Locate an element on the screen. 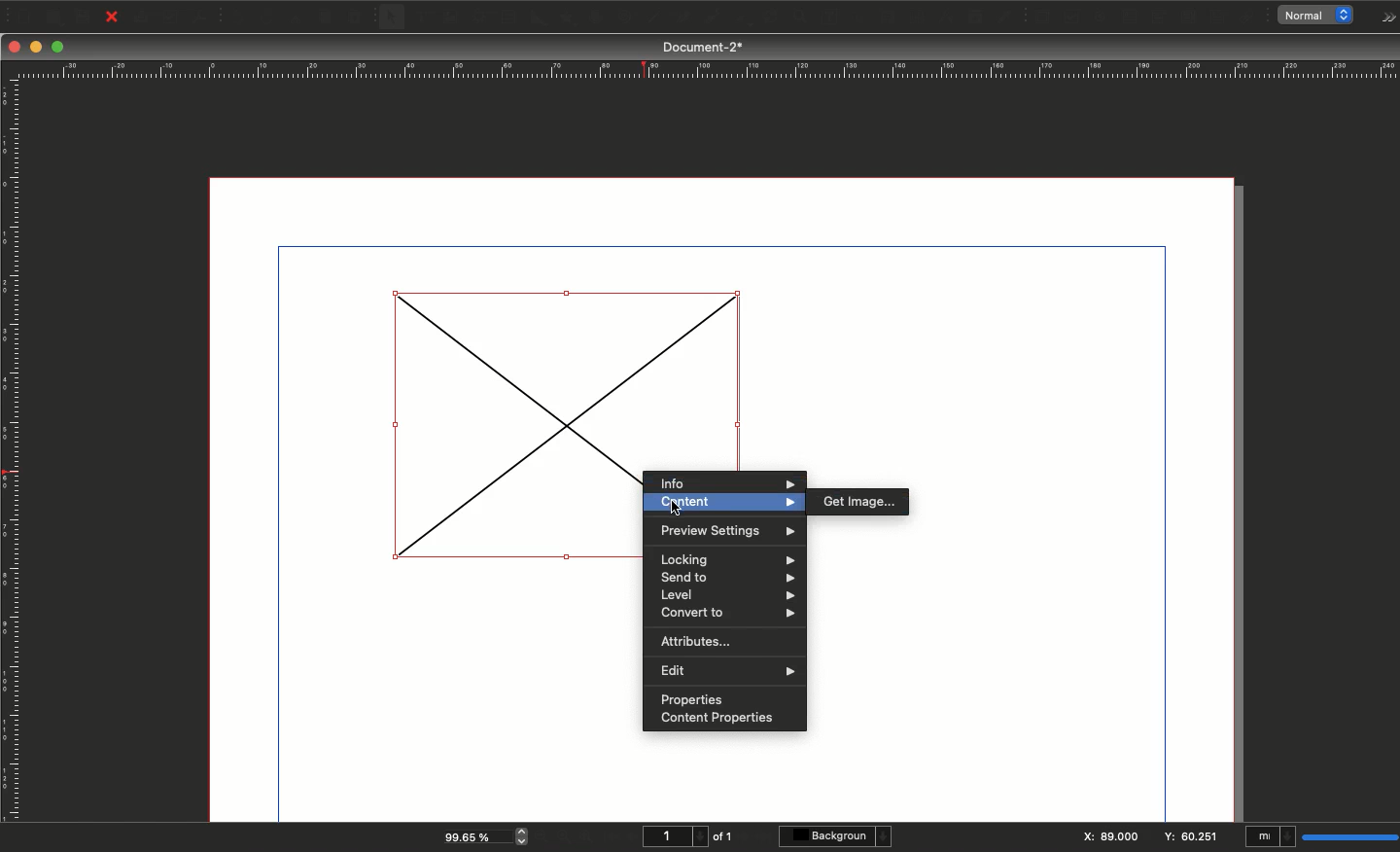  Edit contents of frame is located at coordinates (810, 18).